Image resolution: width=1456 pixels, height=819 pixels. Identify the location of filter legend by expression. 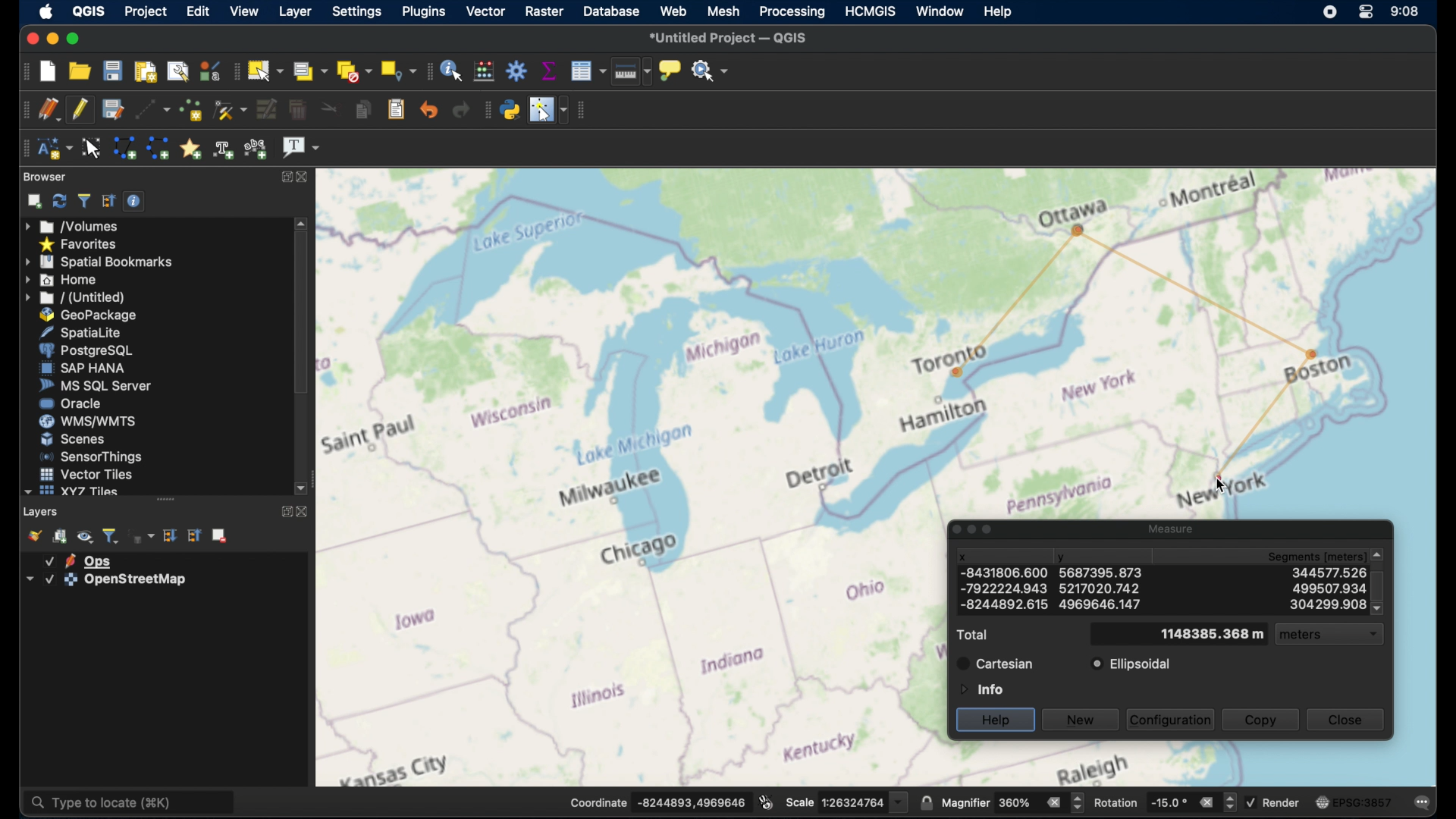
(143, 538).